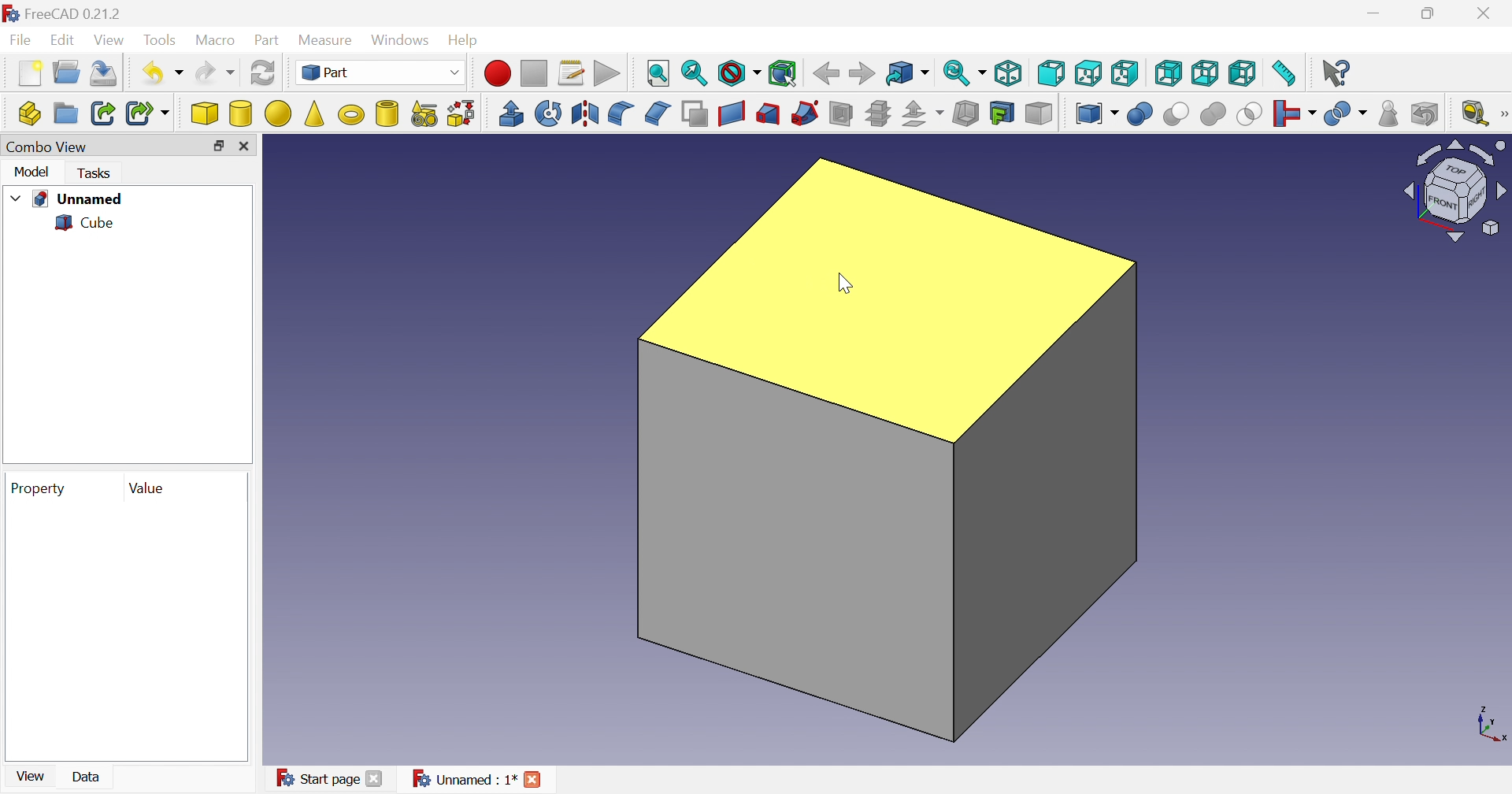 This screenshot has width=1512, height=794. Describe the element at coordinates (241, 115) in the screenshot. I see `Cylinder` at that location.